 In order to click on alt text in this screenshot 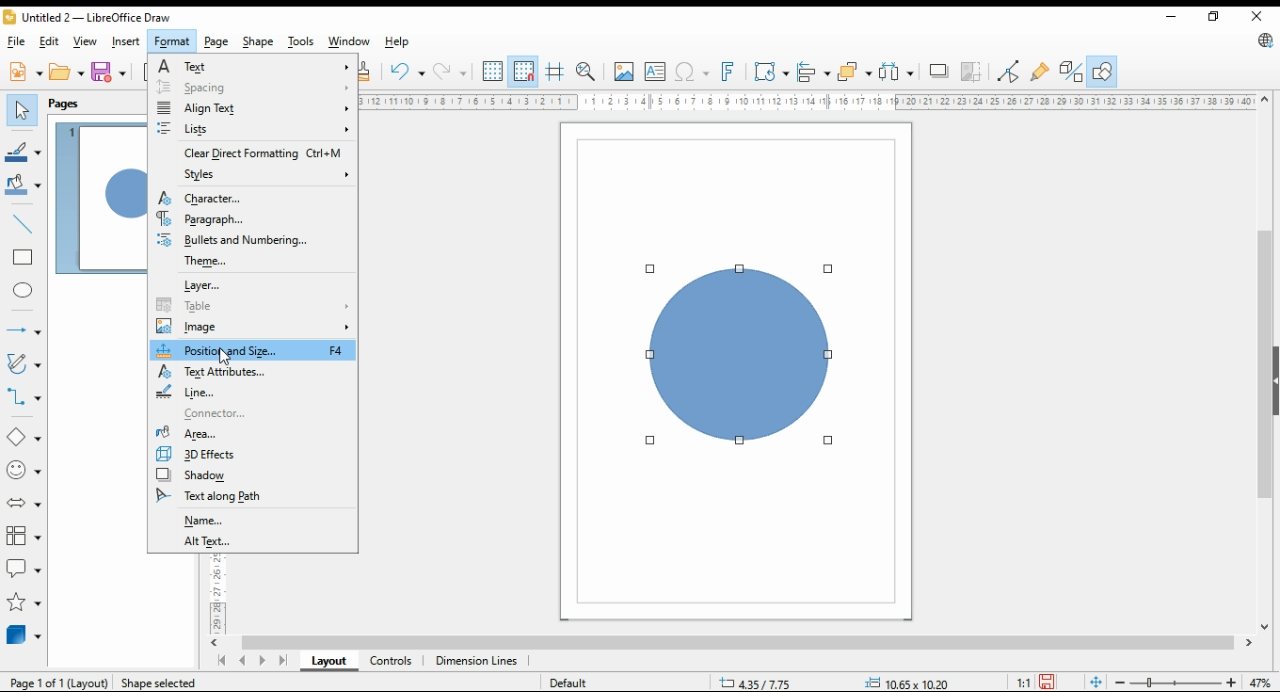, I will do `click(253, 541)`.